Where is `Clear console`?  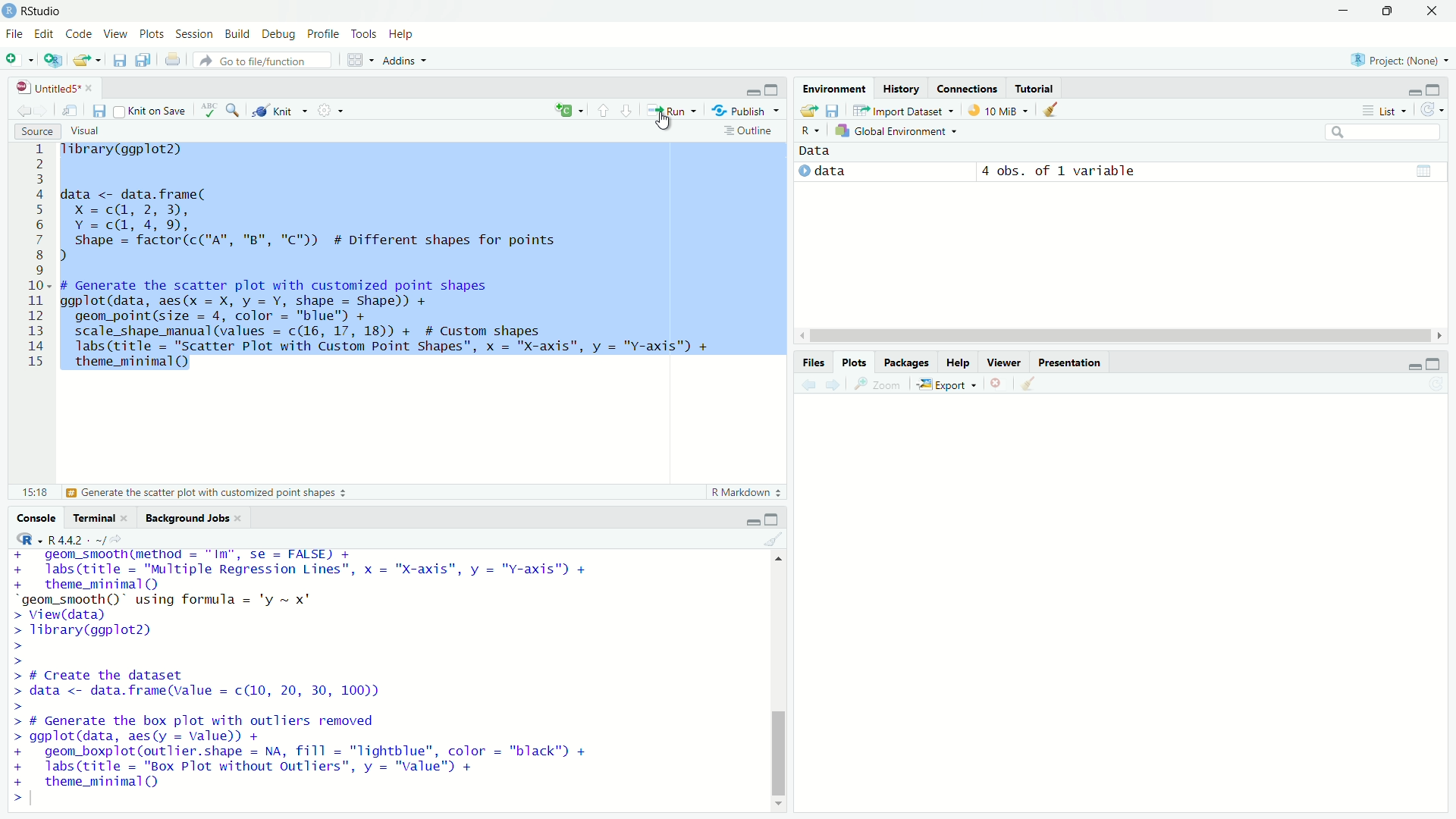 Clear console is located at coordinates (774, 539).